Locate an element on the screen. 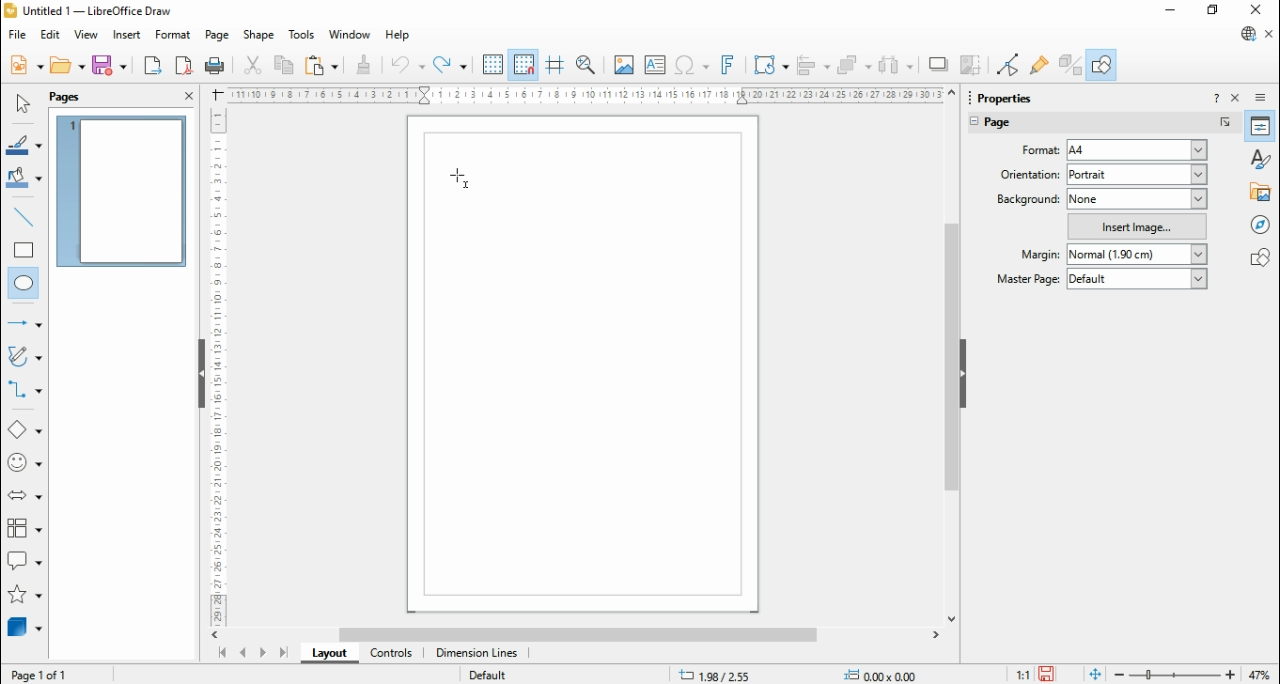 This screenshot has height=684, width=1280. ellipse is located at coordinates (25, 284).